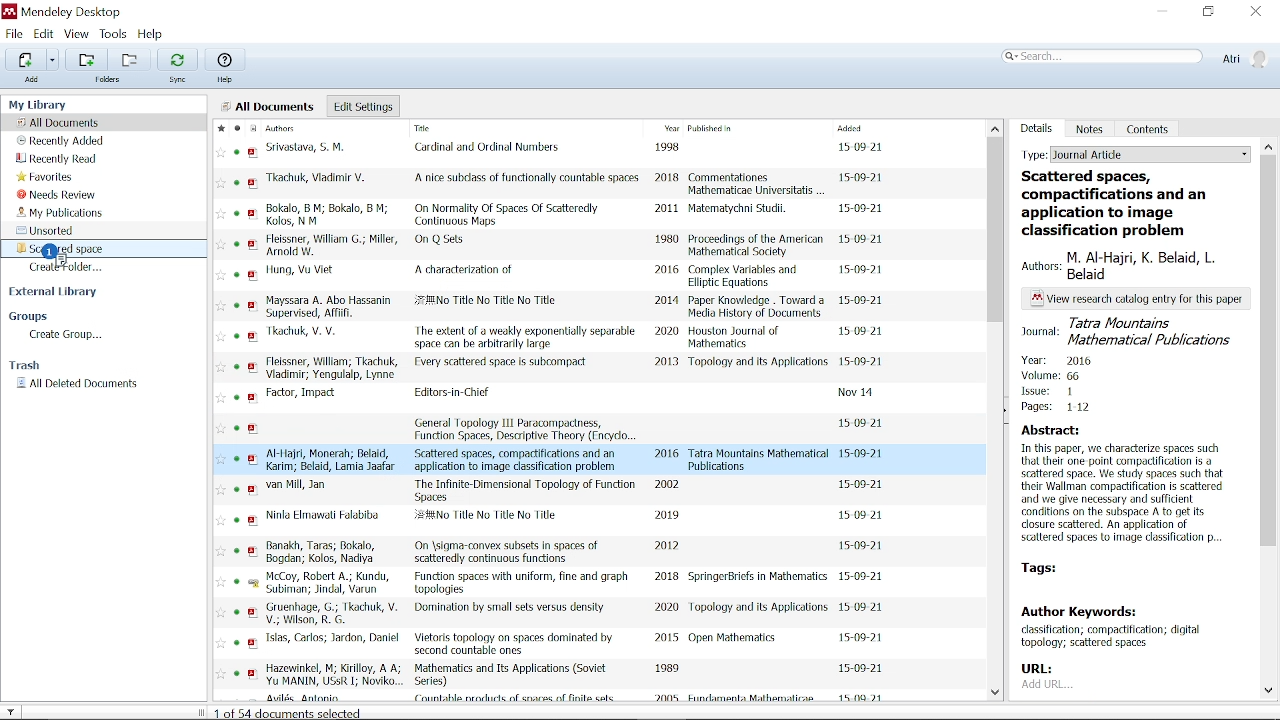  I want to click on authors, so click(304, 394).